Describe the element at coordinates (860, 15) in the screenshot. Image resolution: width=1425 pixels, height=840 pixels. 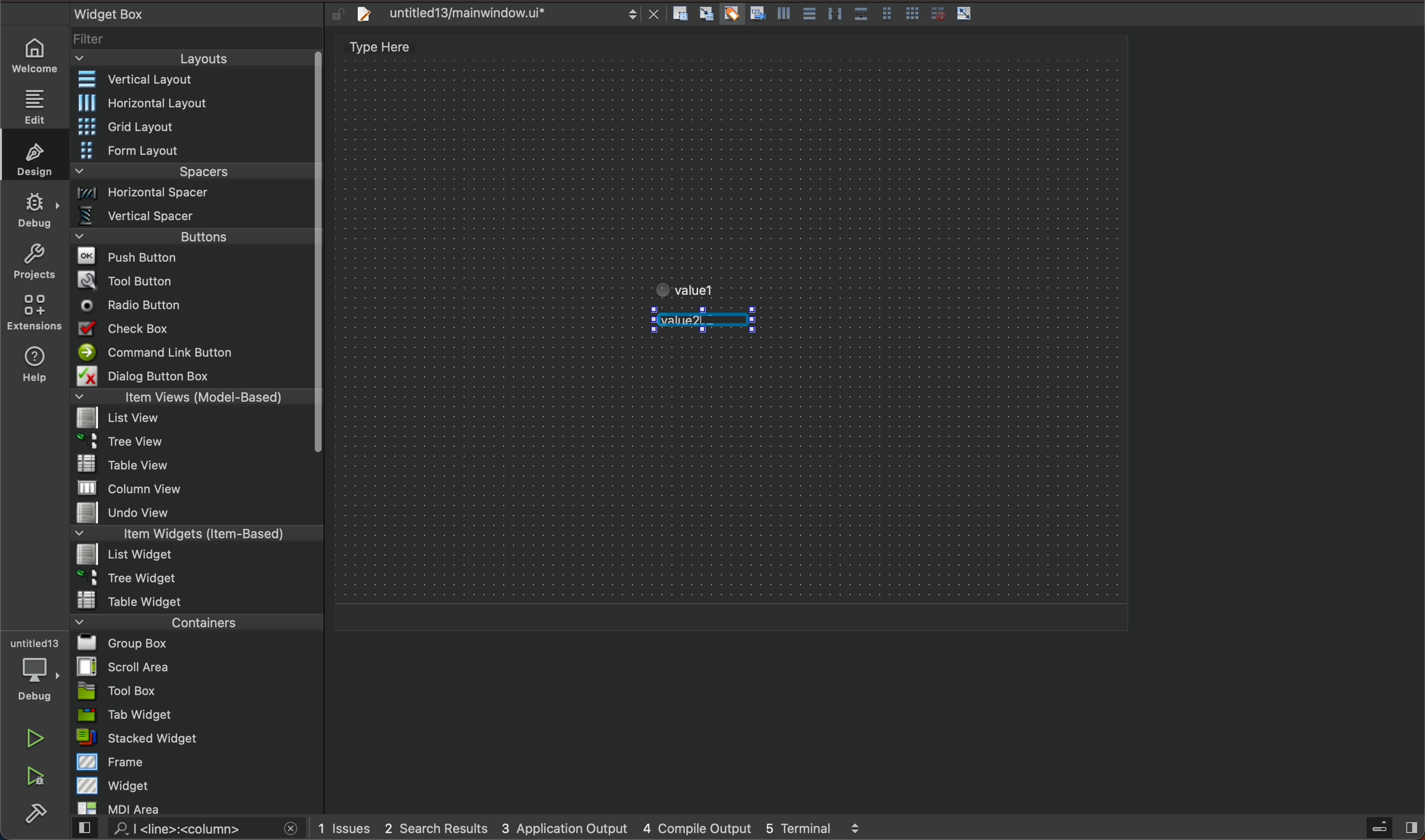
I see `` at that location.